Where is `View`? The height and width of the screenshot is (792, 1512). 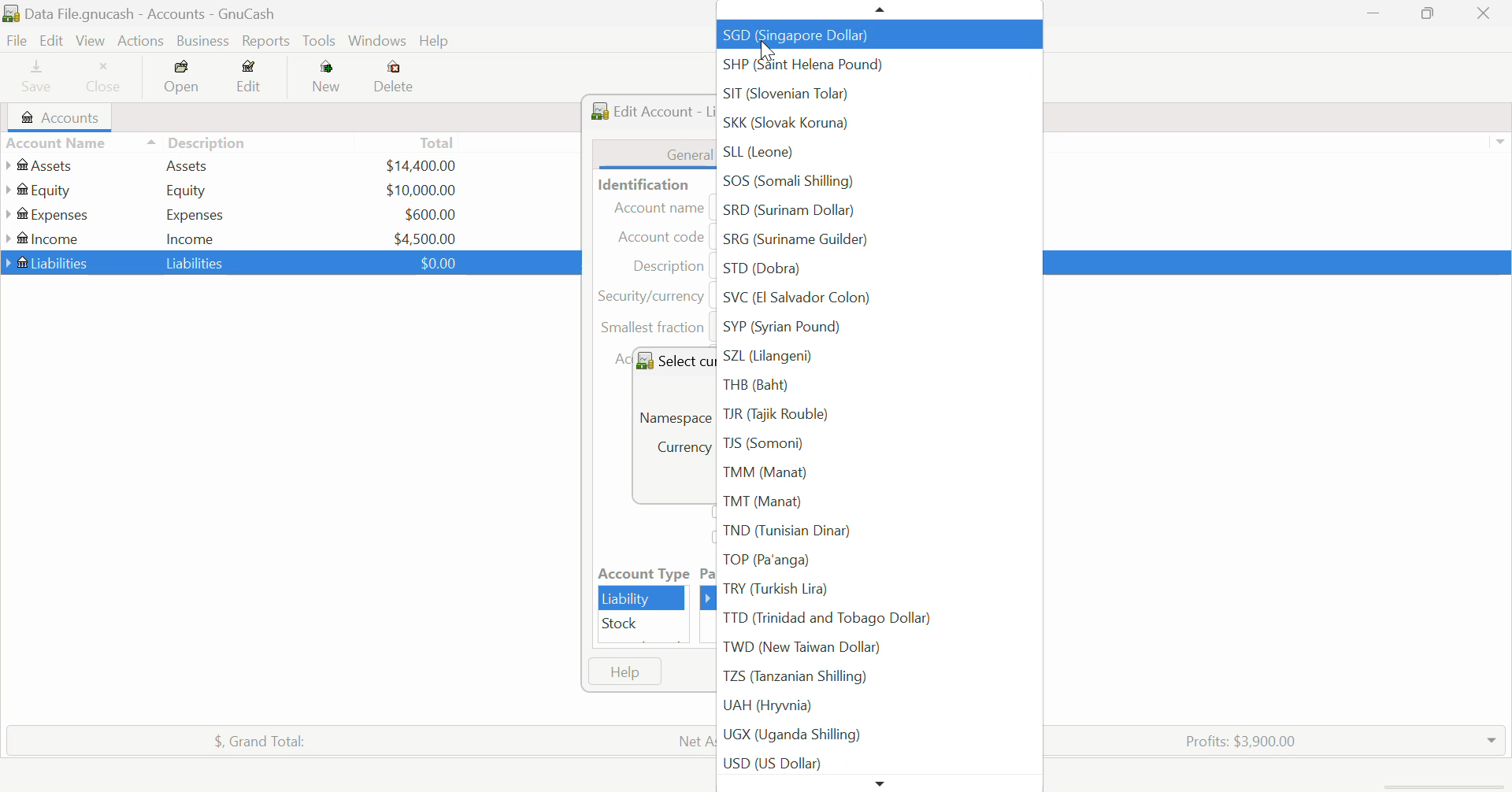
View is located at coordinates (89, 41).